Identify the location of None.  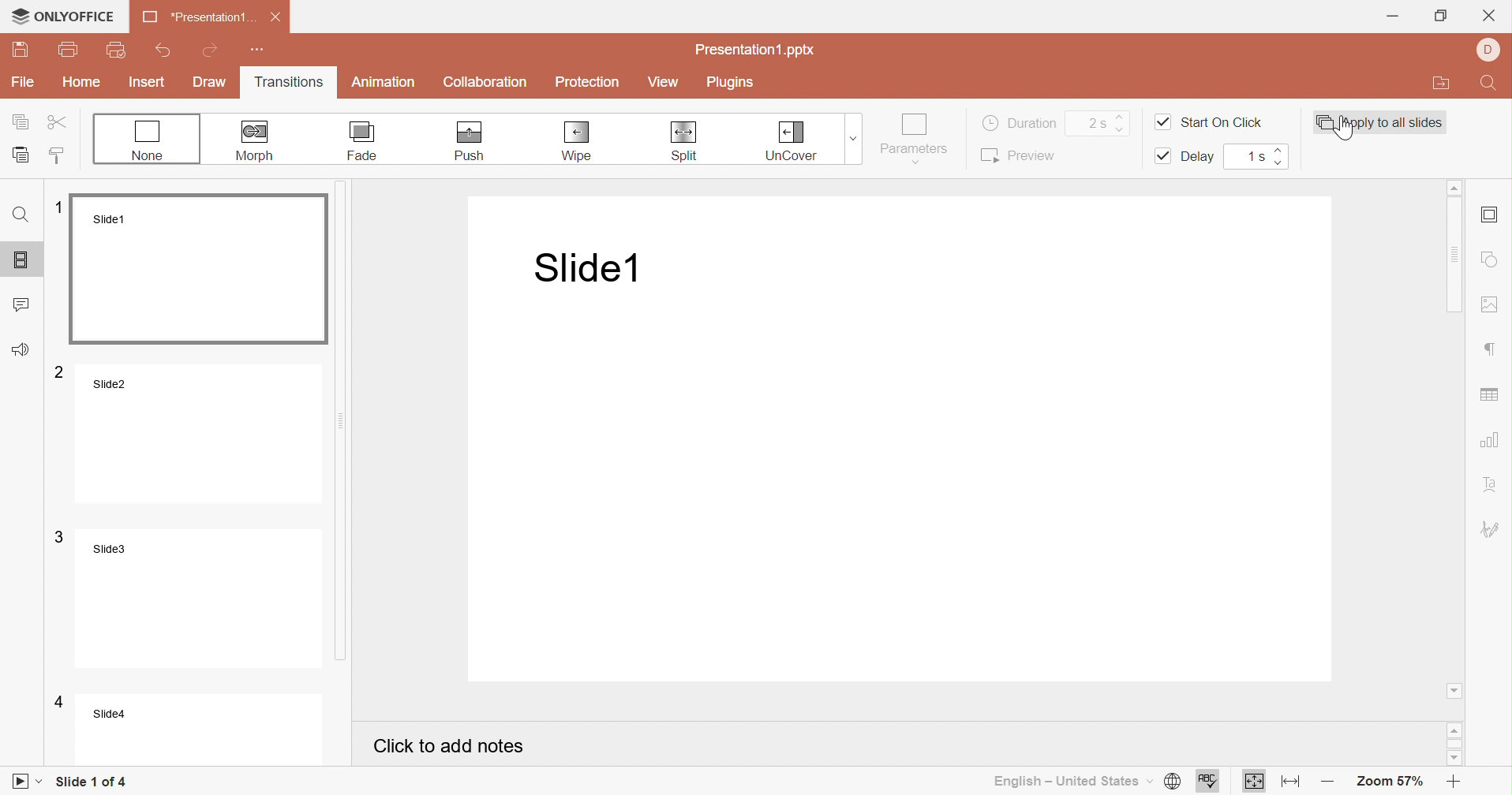
(148, 140).